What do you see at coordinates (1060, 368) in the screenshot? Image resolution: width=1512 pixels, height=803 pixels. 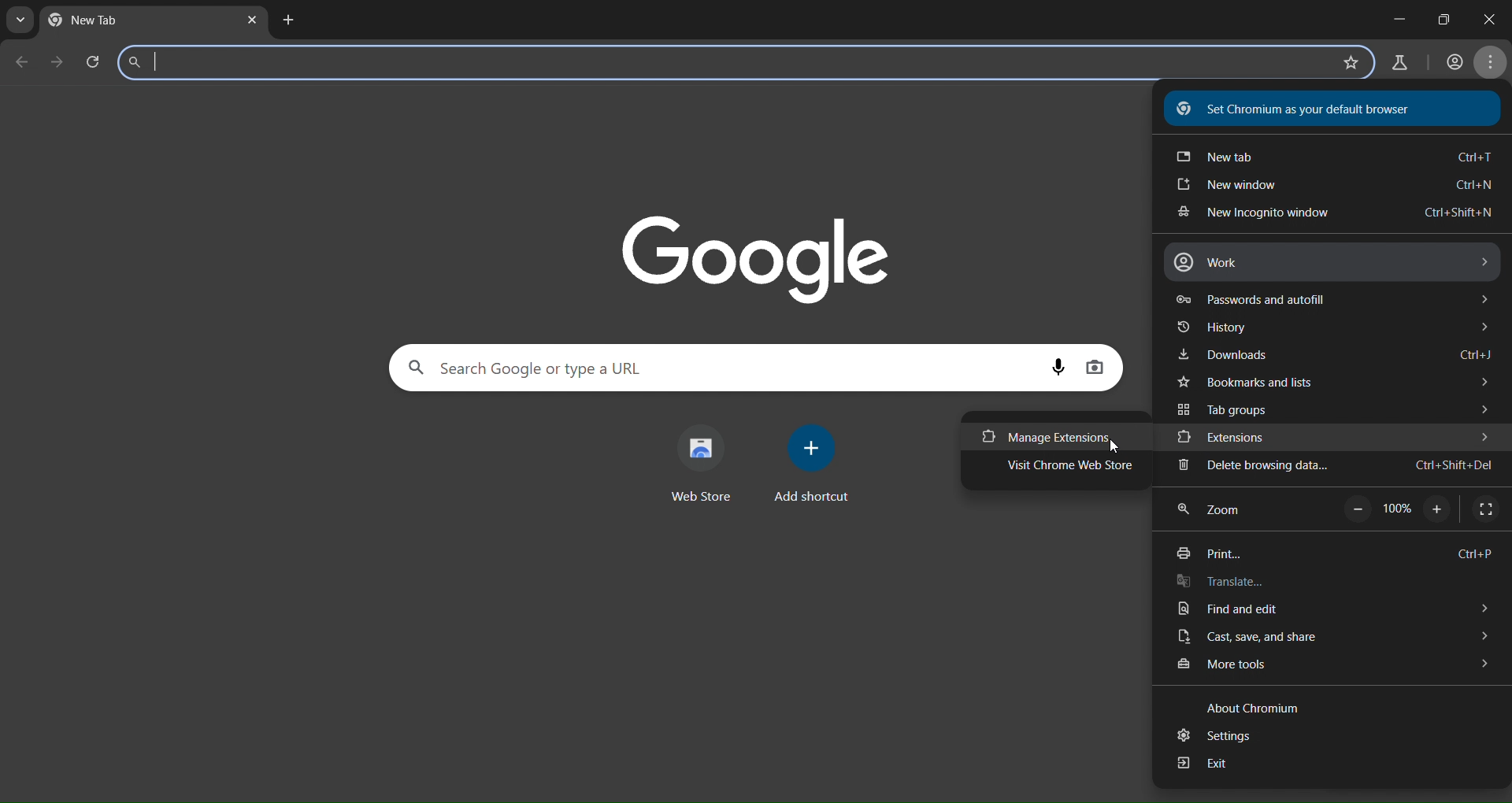 I see `voice search` at bounding box center [1060, 368].